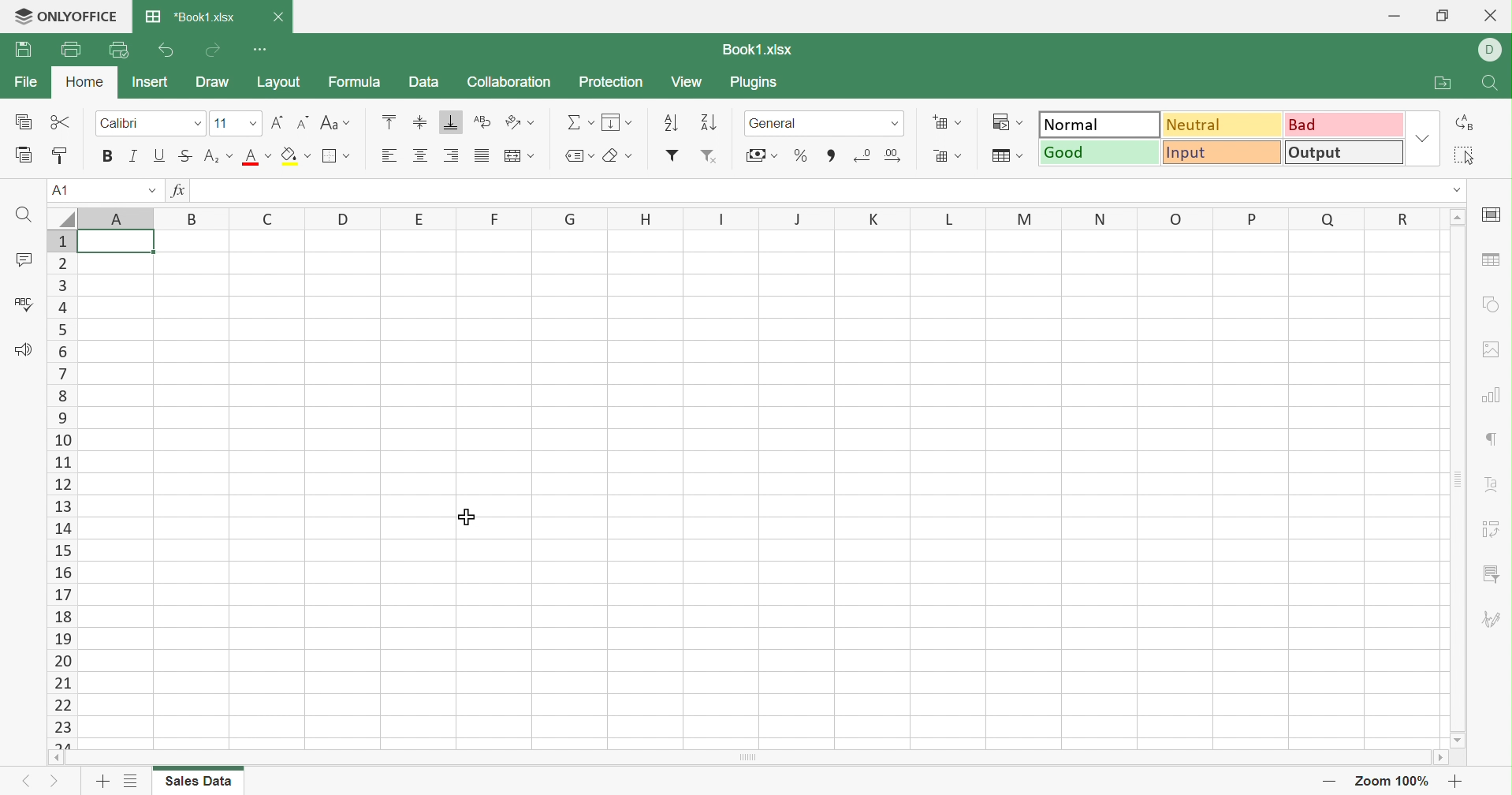 This screenshot has width=1512, height=795. I want to click on Cursor, so click(470, 516).